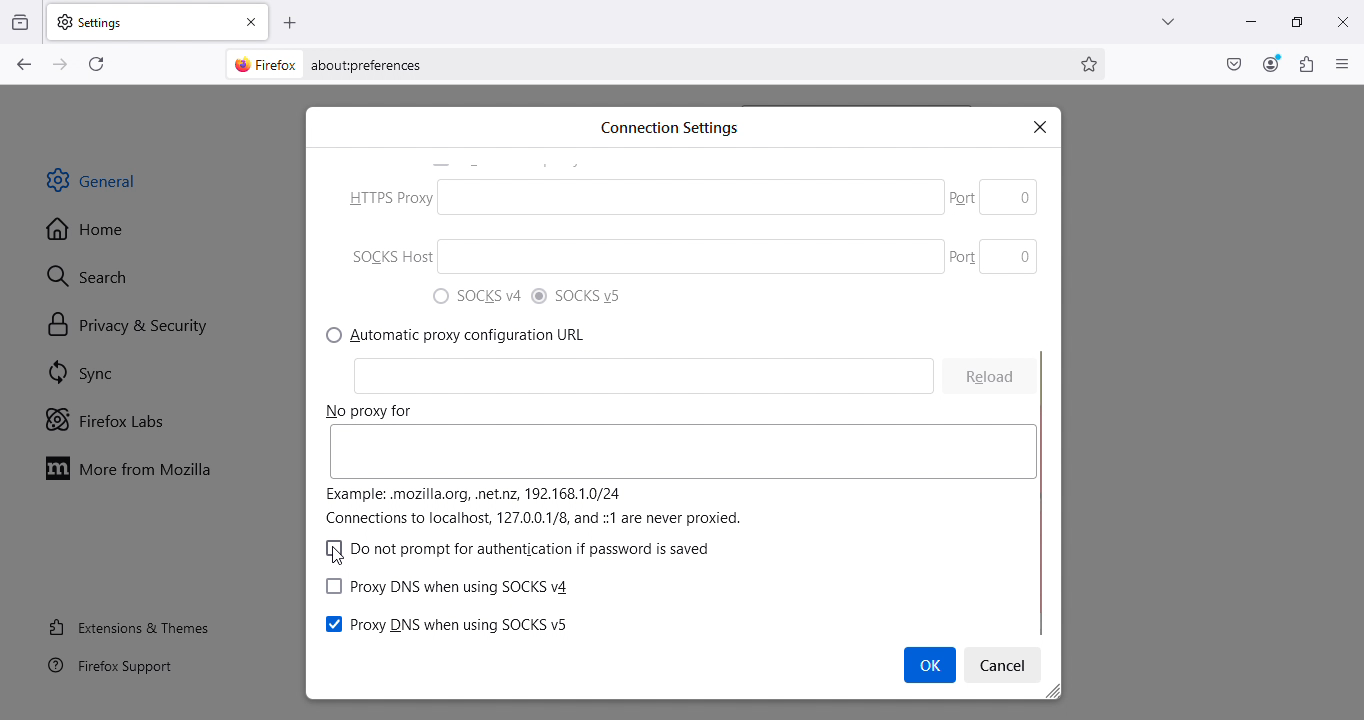 This screenshot has width=1364, height=720. Describe the element at coordinates (990, 196) in the screenshot. I see `` at that location.